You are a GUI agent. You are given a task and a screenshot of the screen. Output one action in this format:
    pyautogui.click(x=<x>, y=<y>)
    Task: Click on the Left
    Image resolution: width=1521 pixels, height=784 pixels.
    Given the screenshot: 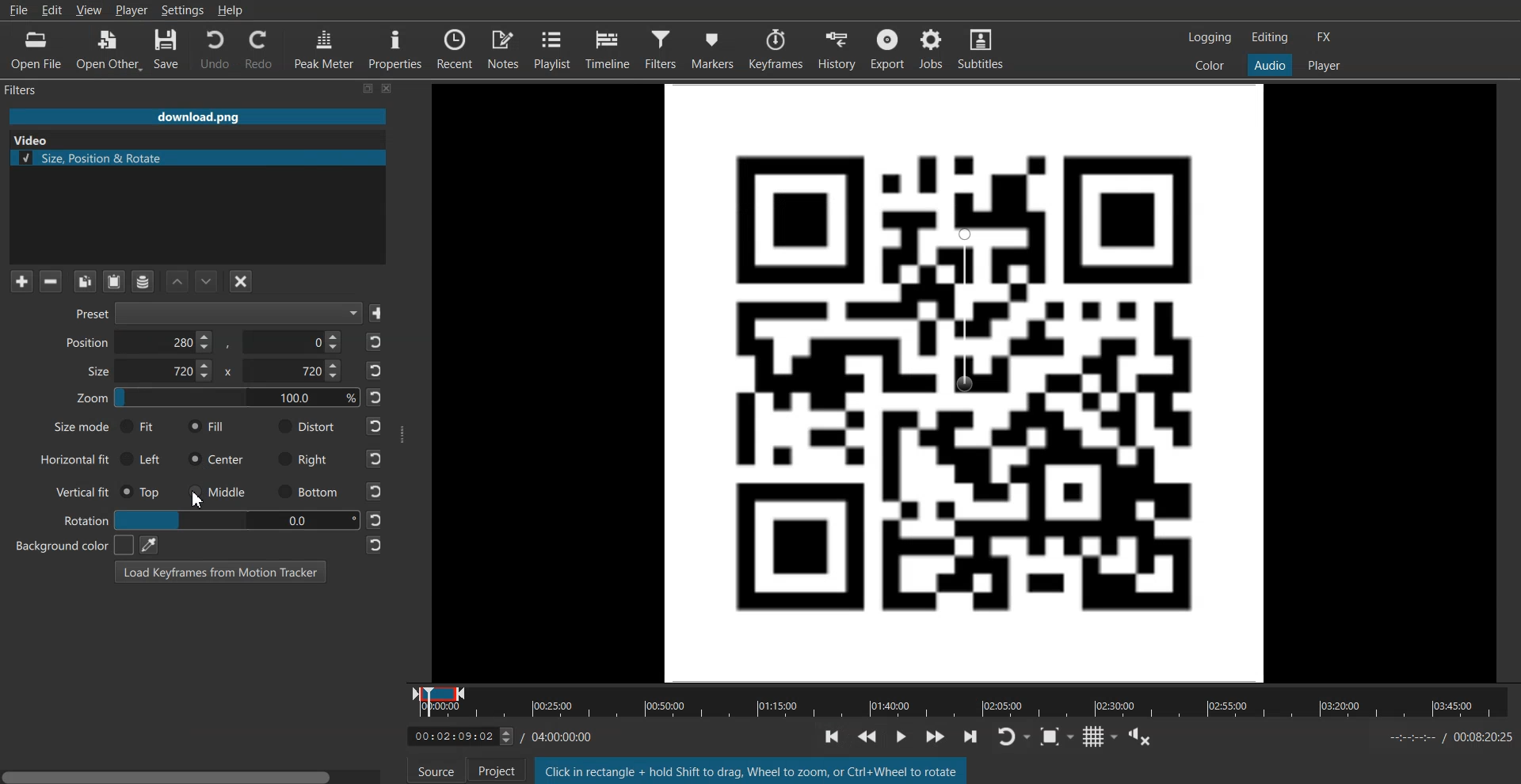 What is the action you would take?
    pyautogui.click(x=145, y=458)
    